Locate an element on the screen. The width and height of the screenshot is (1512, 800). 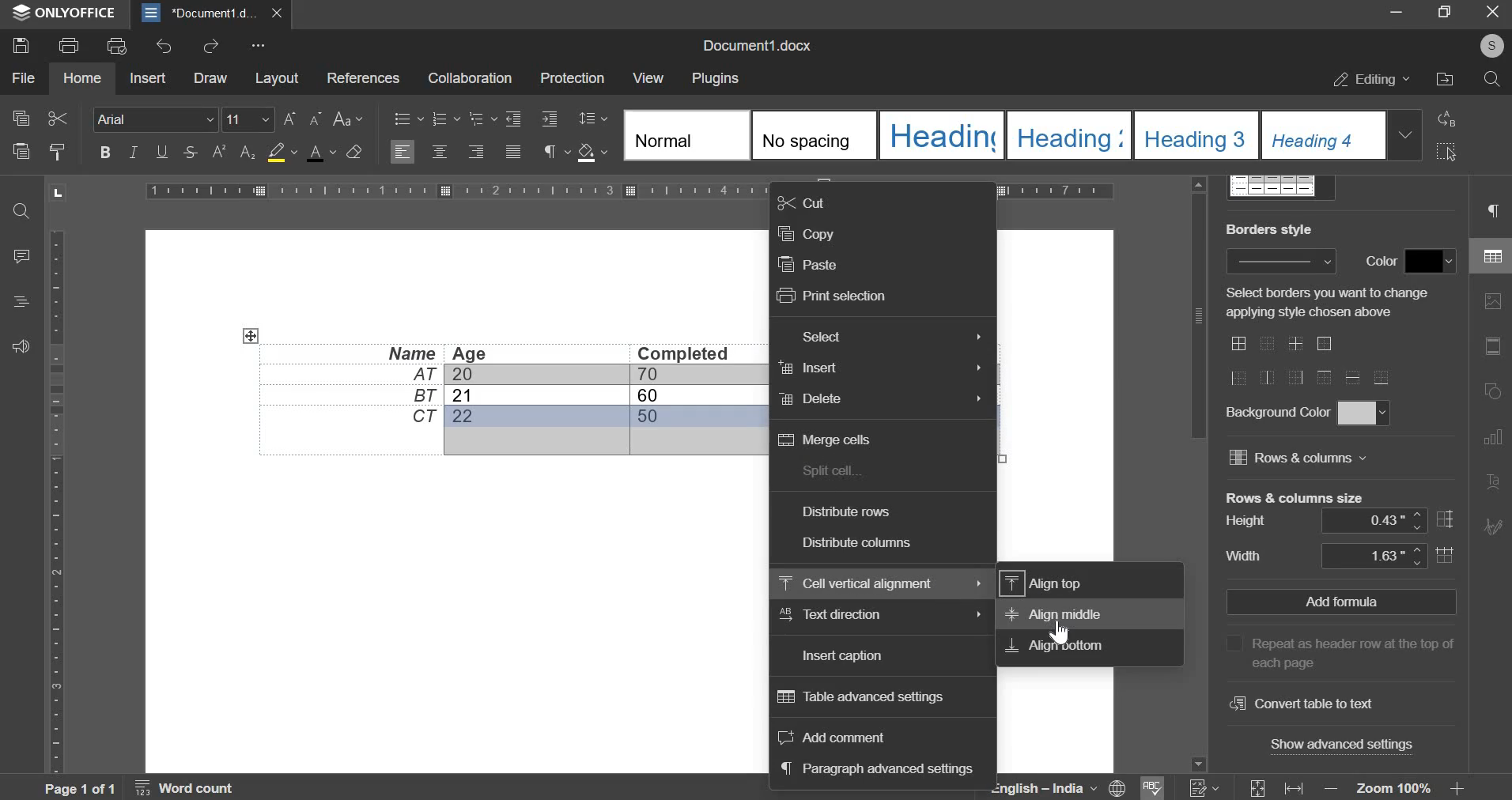
numbering is located at coordinates (1204, 787).